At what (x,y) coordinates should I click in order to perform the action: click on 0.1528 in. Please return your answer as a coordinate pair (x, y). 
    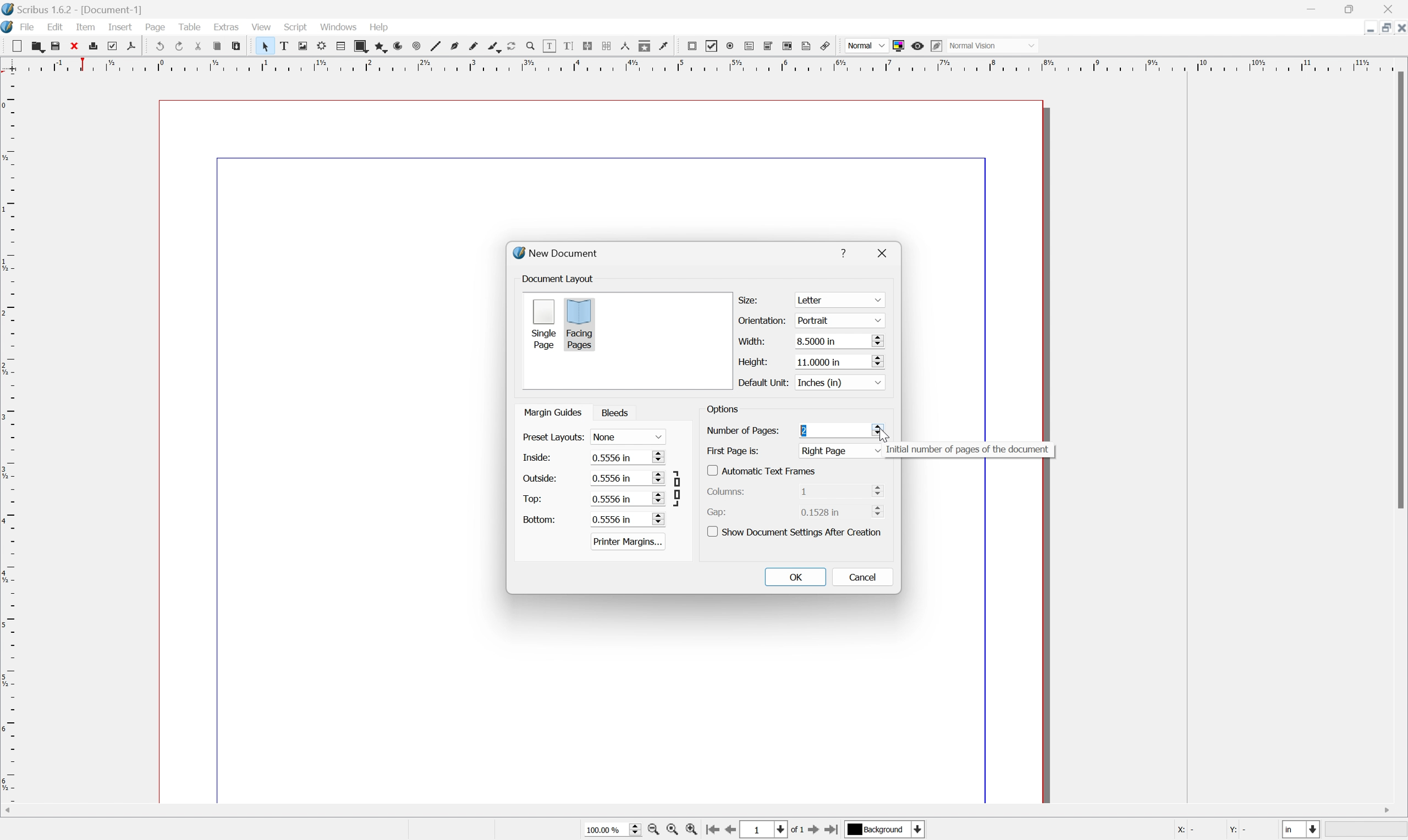
    Looking at the image, I should click on (844, 513).